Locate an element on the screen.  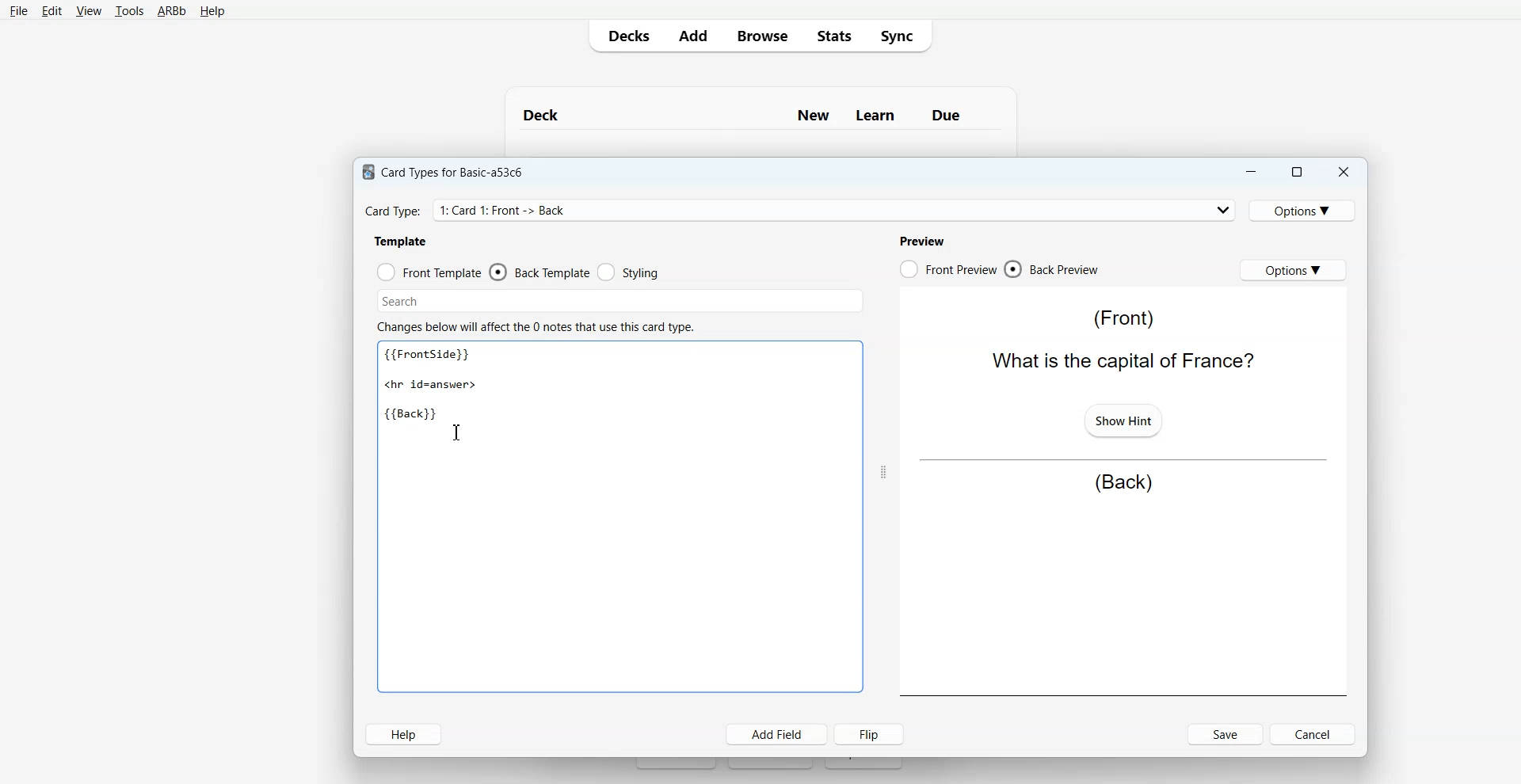
Decks is located at coordinates (625, 36).